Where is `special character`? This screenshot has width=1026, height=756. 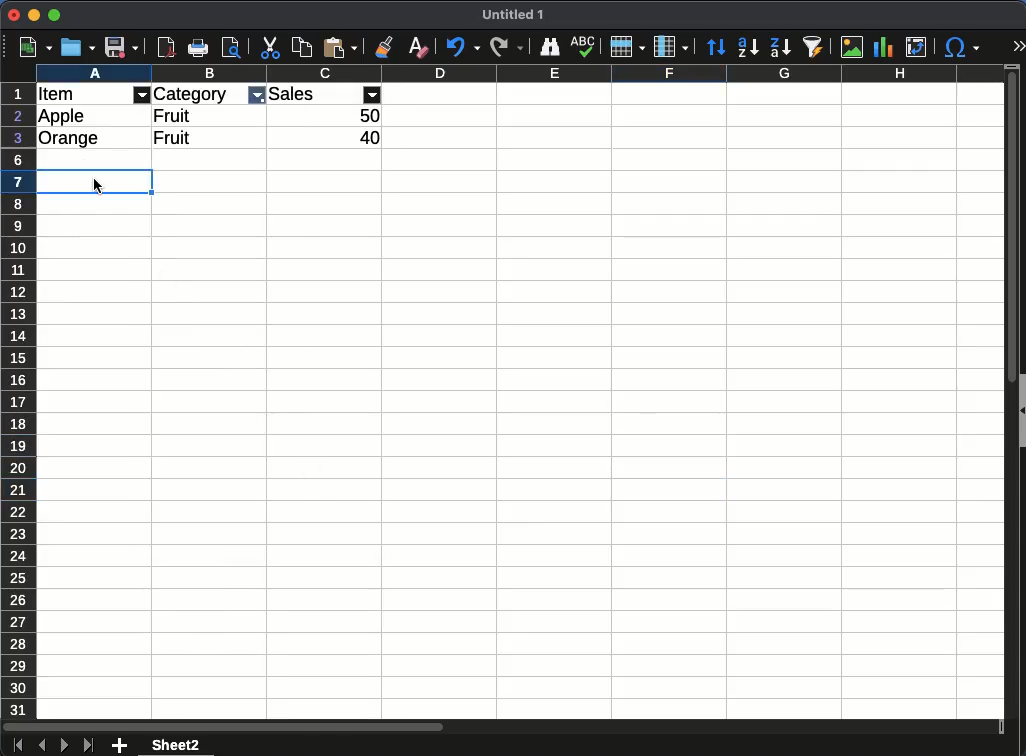
special character is located at coordinates (963, 49).